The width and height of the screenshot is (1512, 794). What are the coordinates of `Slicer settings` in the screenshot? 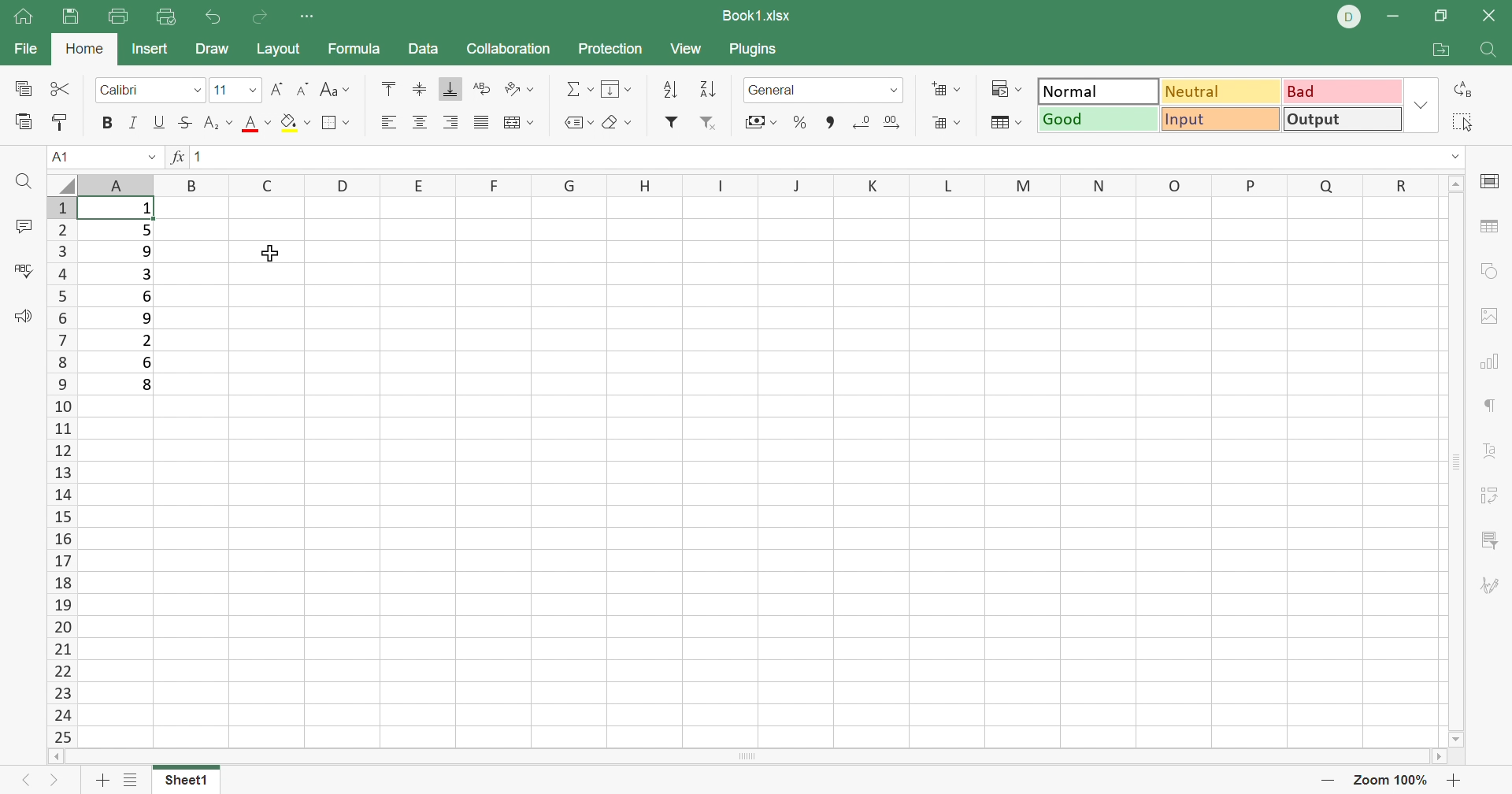 It's located at (1492, 540).